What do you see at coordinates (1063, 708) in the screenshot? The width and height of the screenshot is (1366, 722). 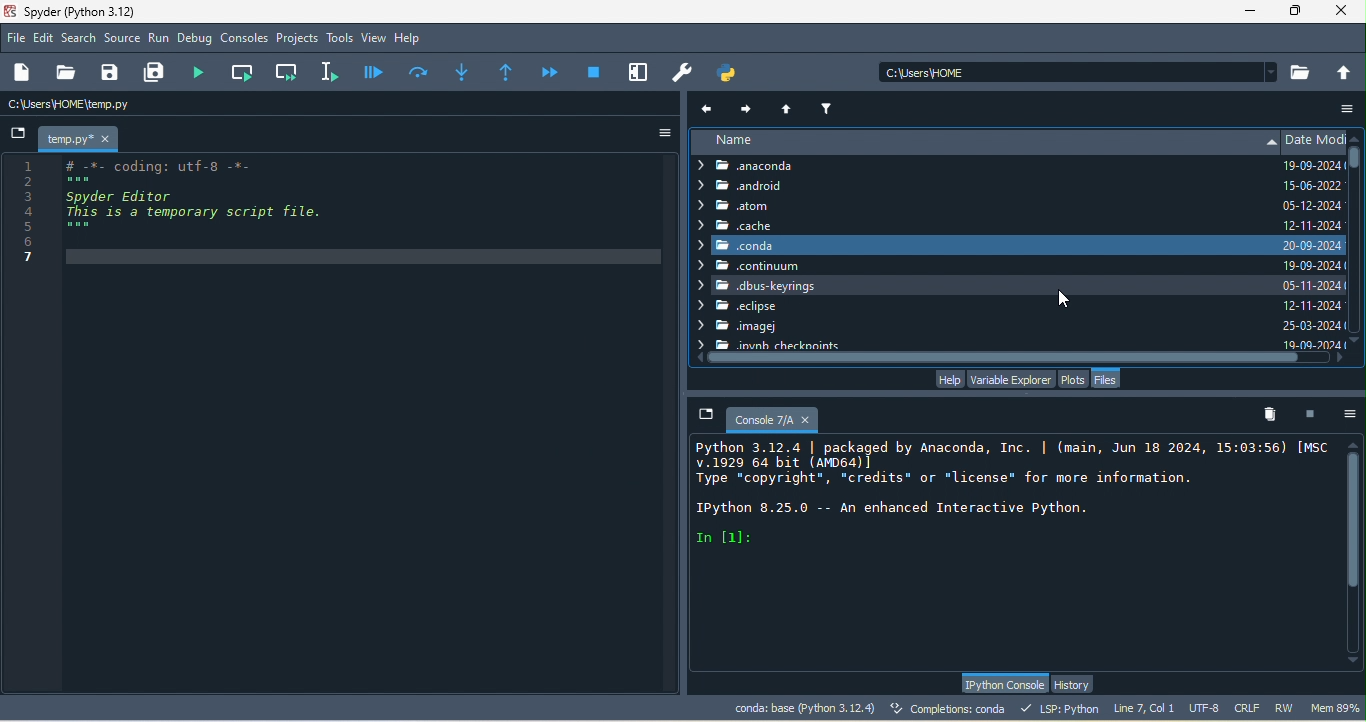 I see `lsp python` at bounding box center [1063, 708].